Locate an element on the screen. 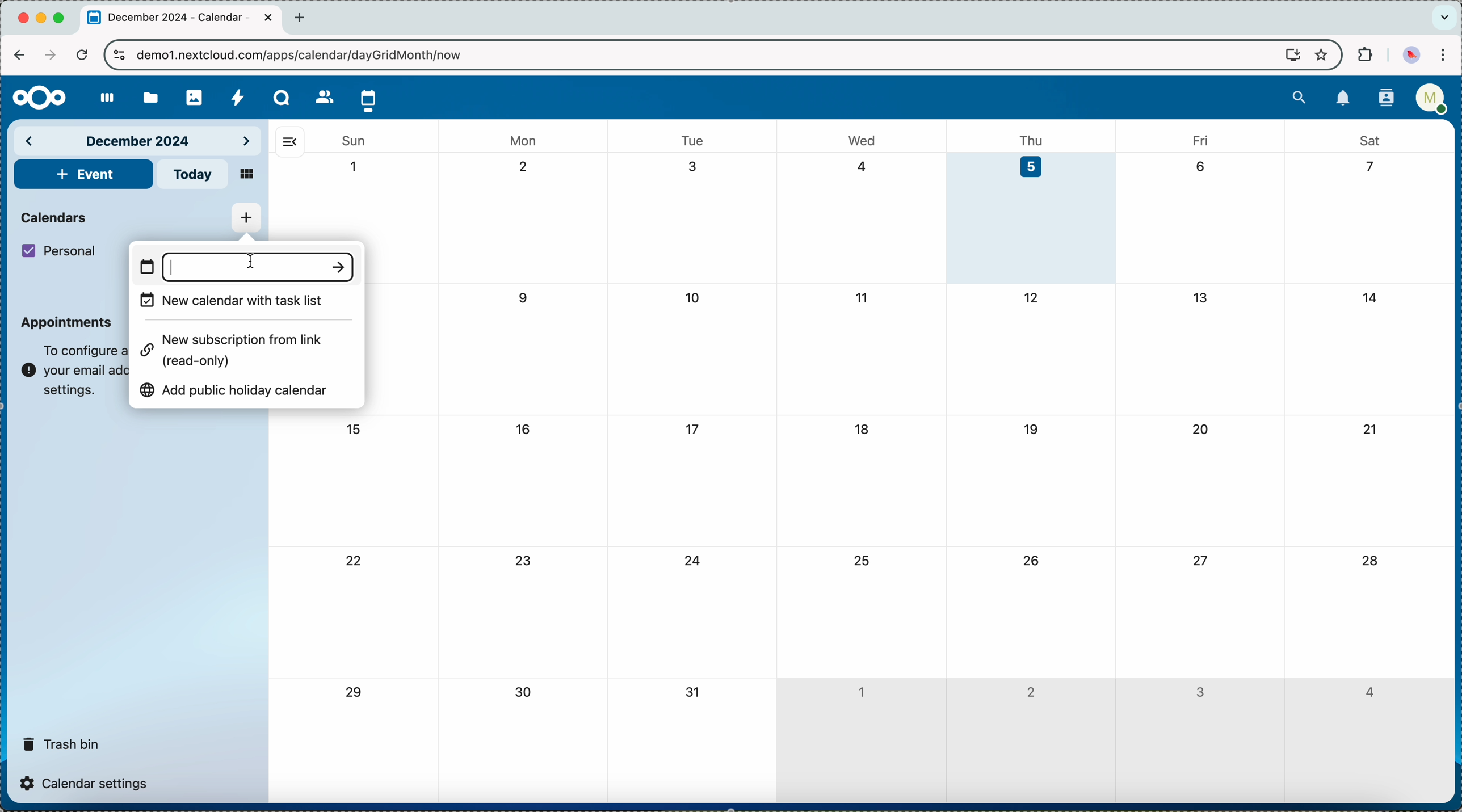  controls is located at coordinates (120, 56).